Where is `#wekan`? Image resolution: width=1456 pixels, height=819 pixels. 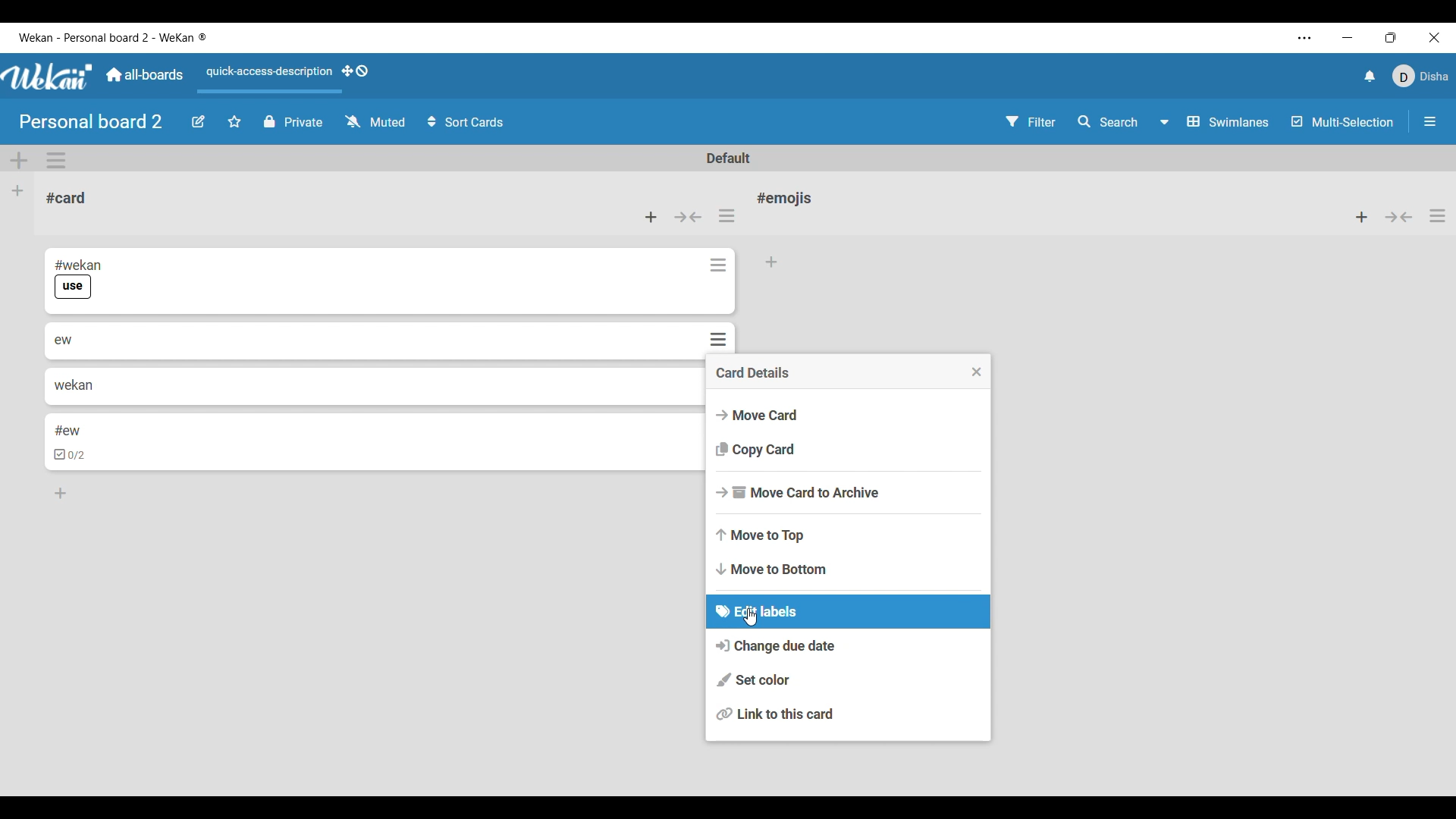 #wekan is located at coordinates (79, 264).